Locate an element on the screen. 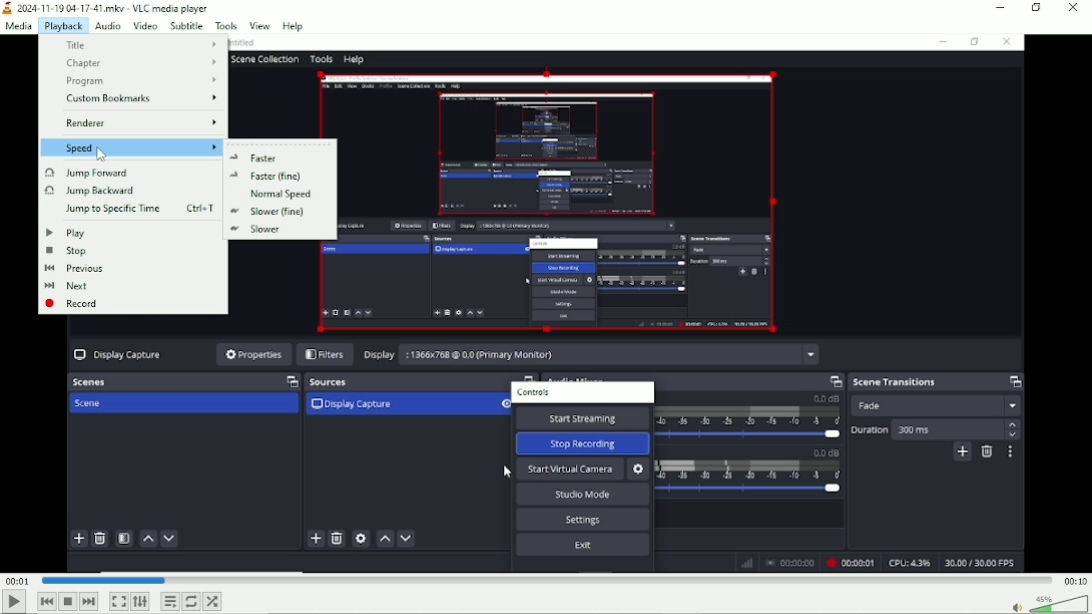  Jump forward is located at coordinates (128, 171).